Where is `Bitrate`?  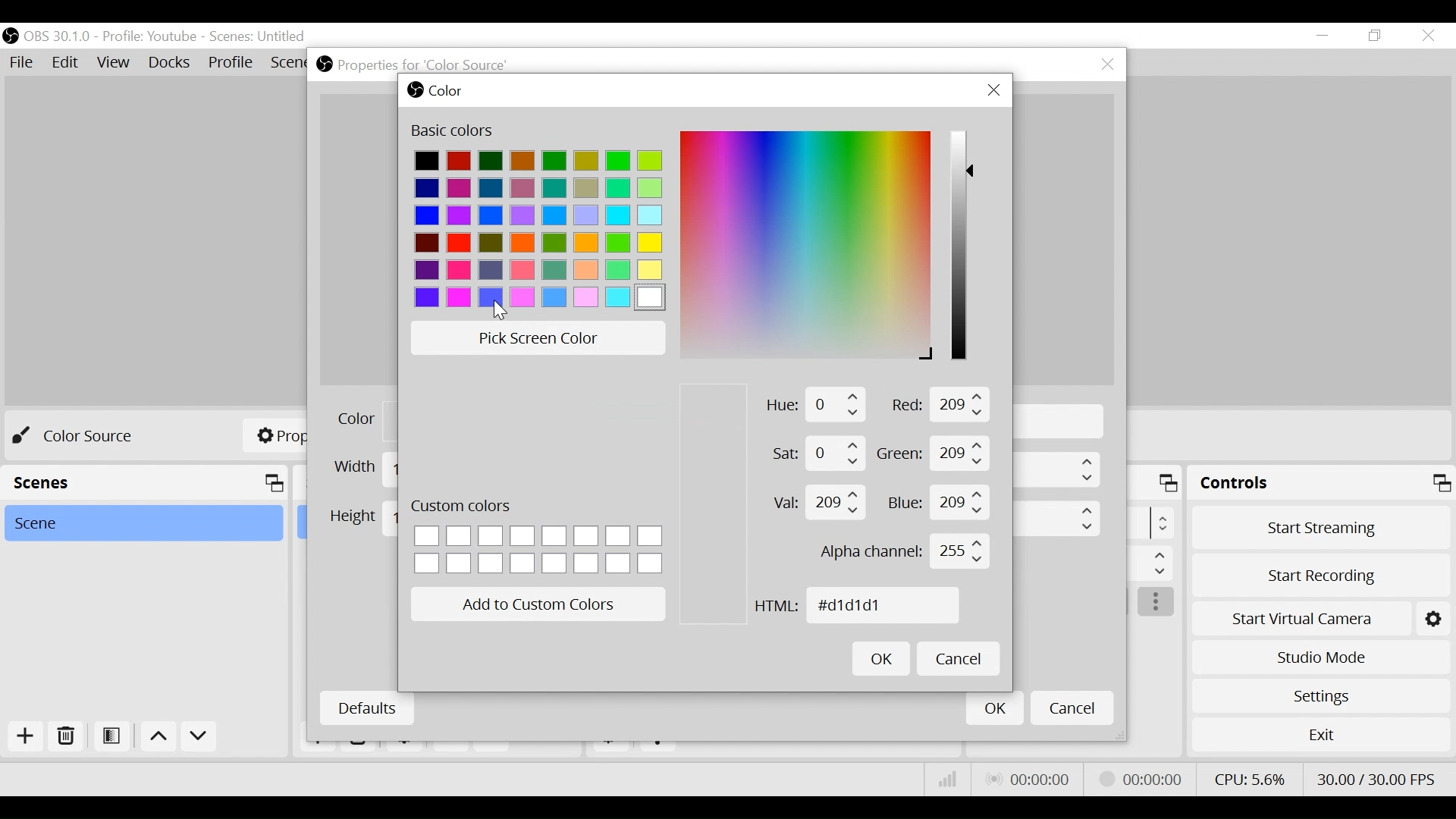 Bitrate is located at coordinates (945, 780).